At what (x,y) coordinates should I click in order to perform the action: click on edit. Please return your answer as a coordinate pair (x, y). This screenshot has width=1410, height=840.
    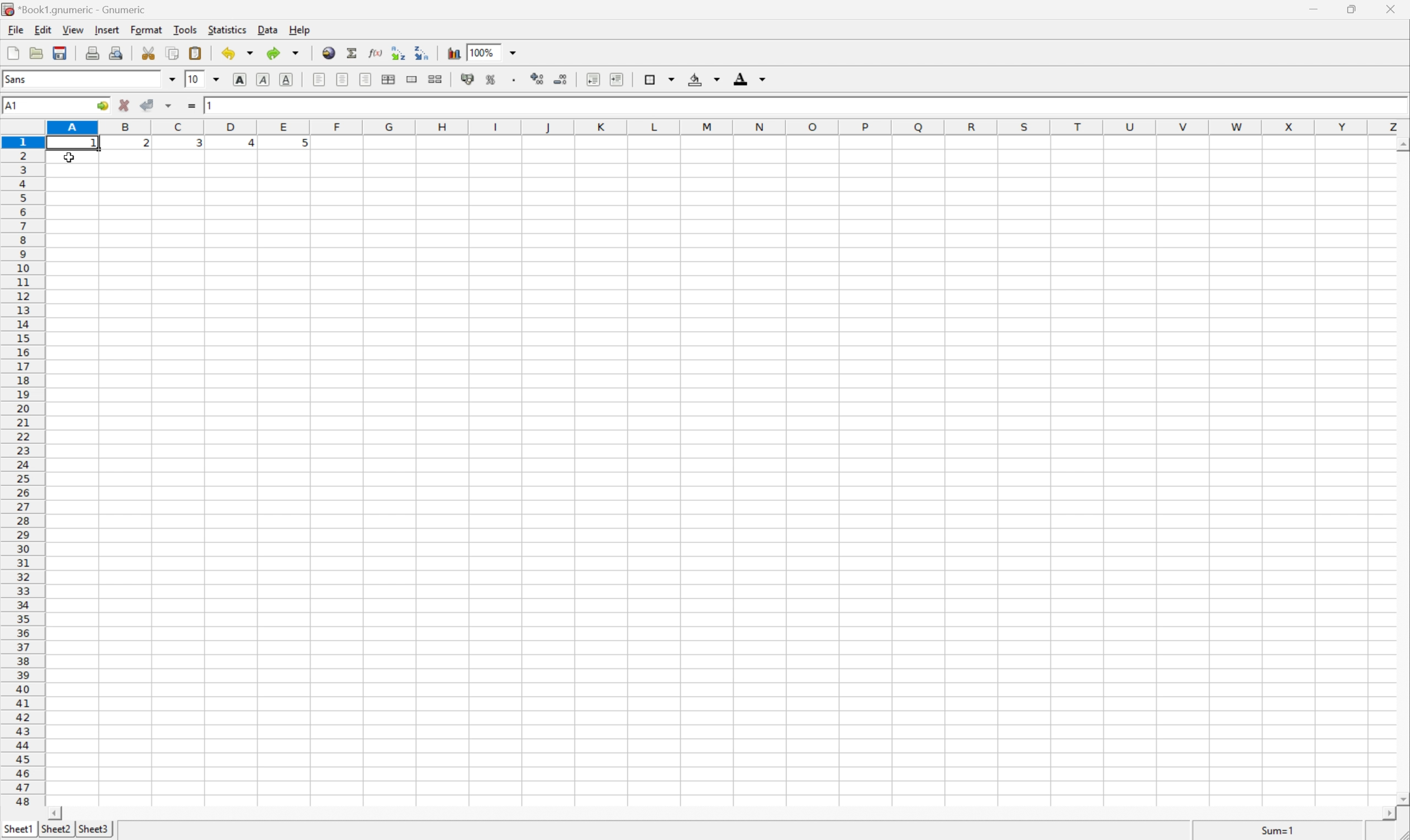
    Looking at the image, I should click on (41, 29).